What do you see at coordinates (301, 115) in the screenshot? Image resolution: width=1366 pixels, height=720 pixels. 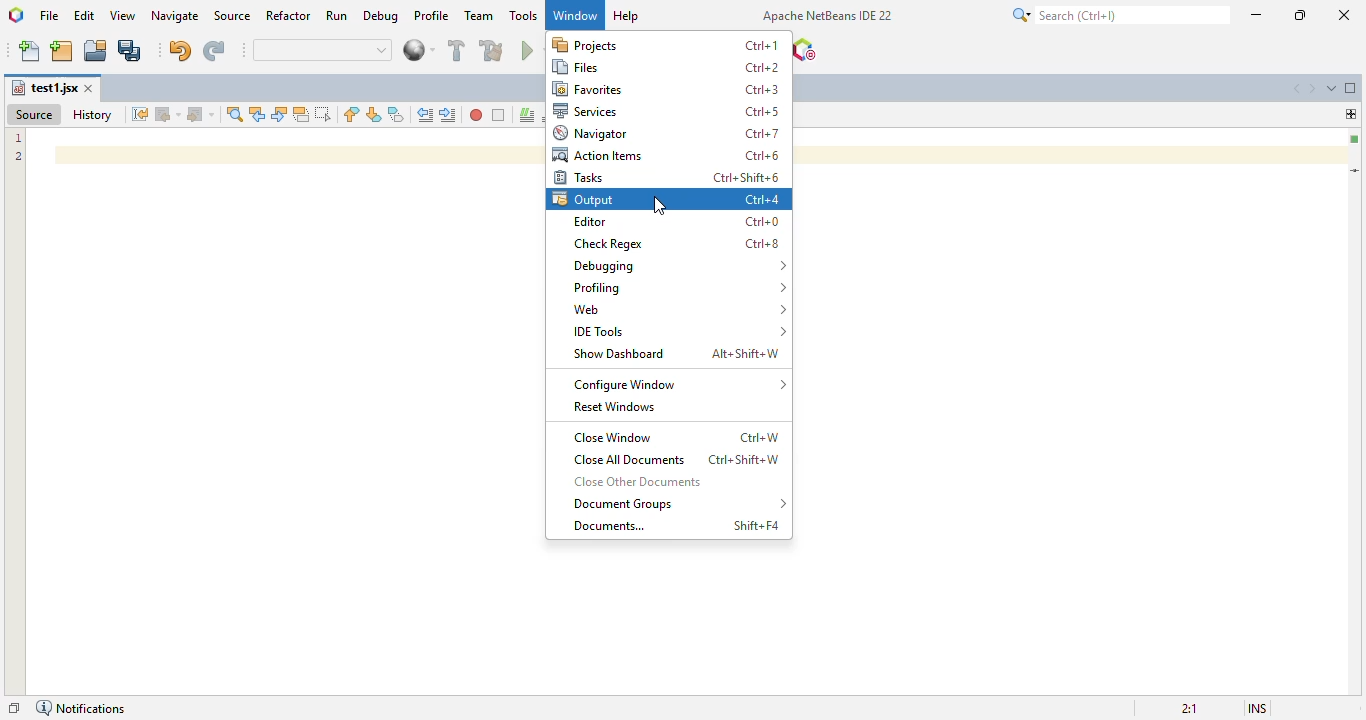 I see `toggle highlight search` at bounding box center [301, 115].